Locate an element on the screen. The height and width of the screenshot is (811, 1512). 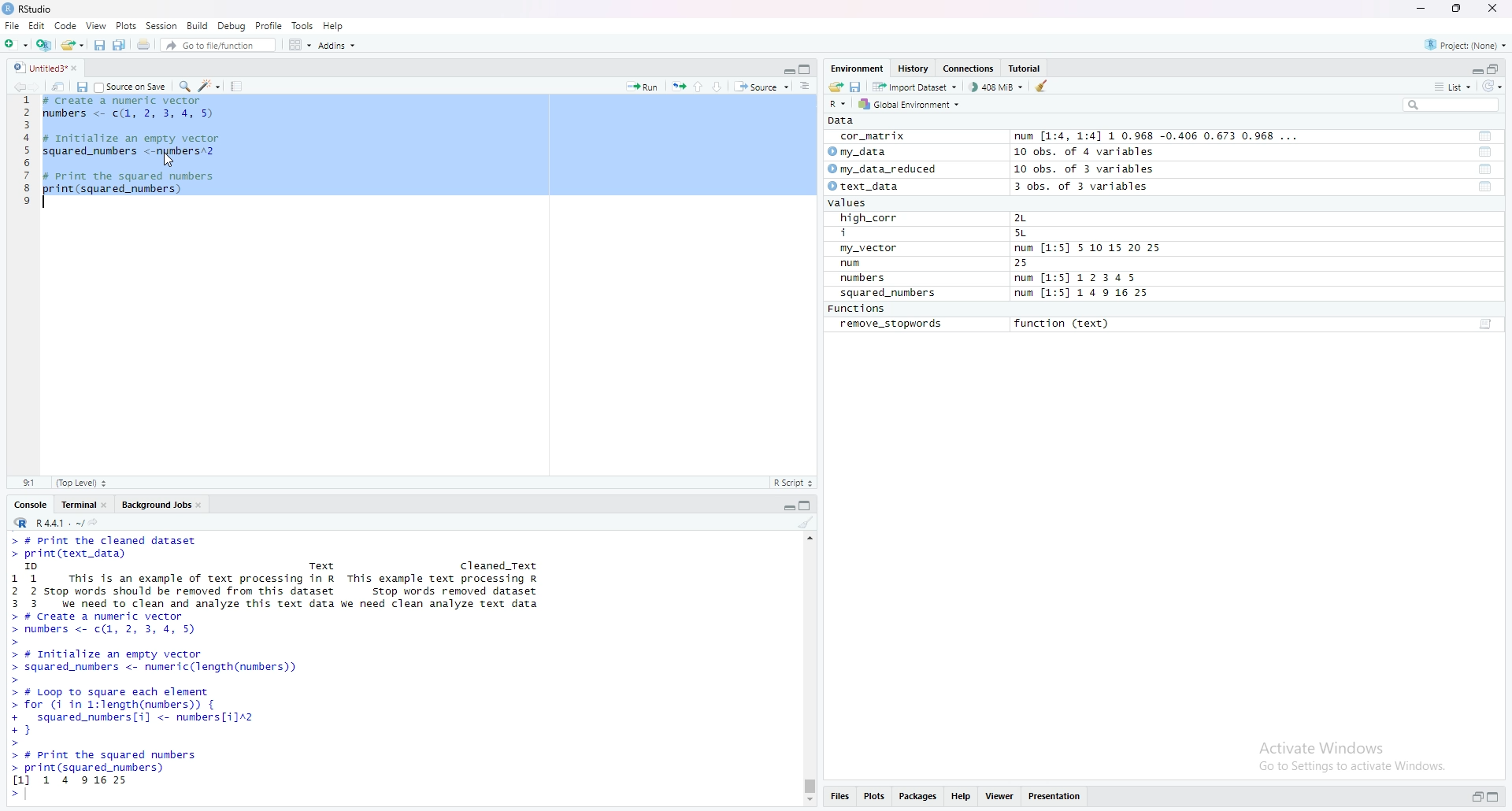
© text_data is located at coordinates (865, 187).